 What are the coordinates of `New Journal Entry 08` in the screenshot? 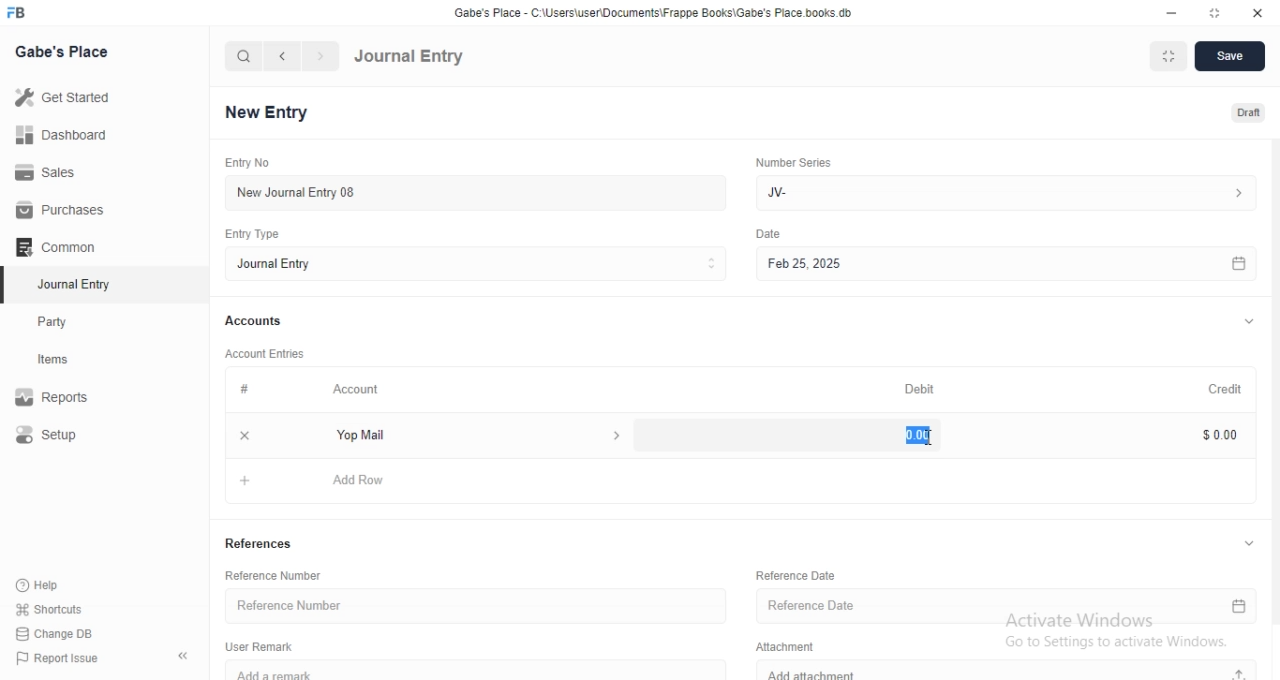 It's located at (470, 192).